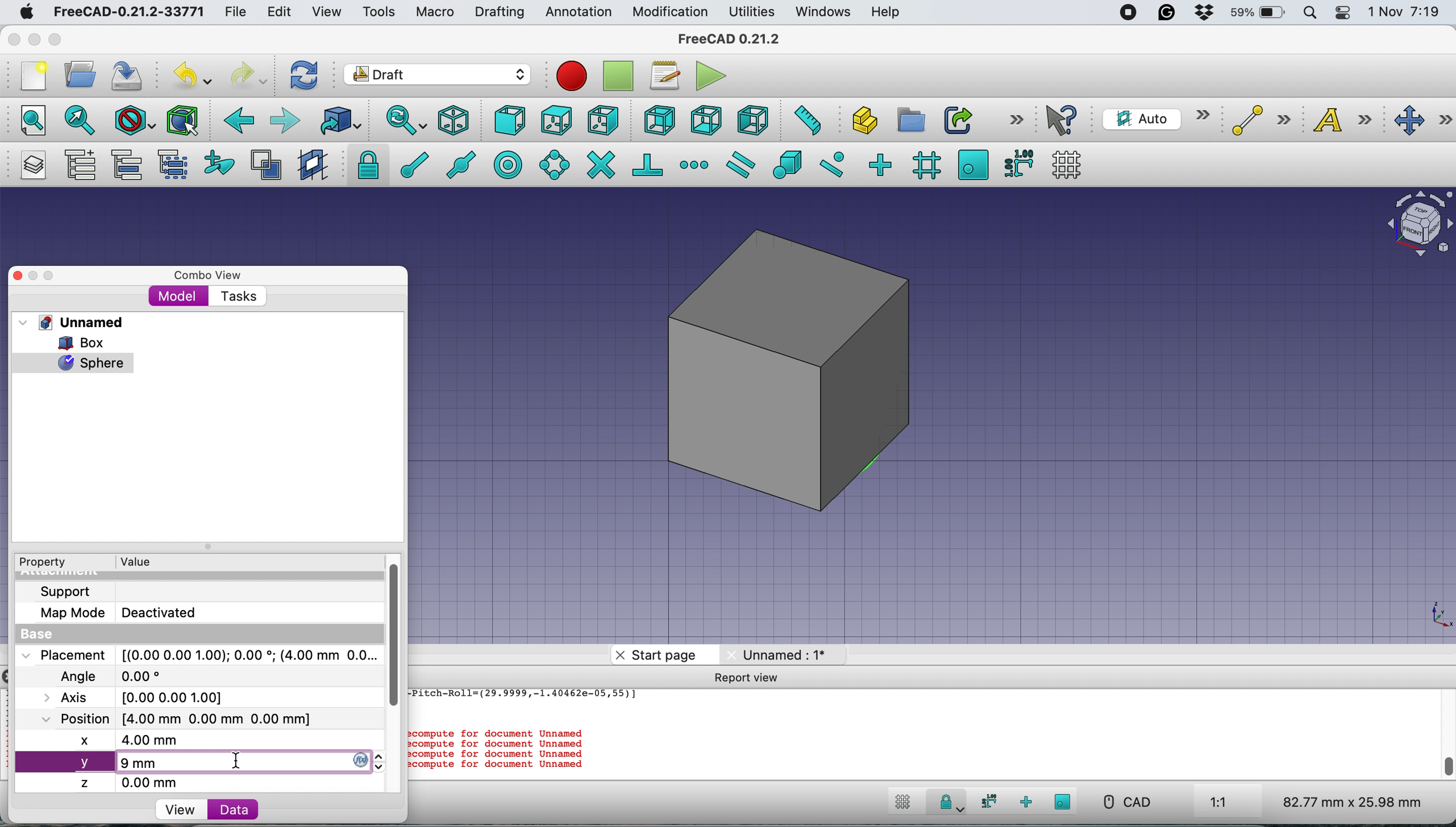  I want to click on combo view, so click(208, 275).